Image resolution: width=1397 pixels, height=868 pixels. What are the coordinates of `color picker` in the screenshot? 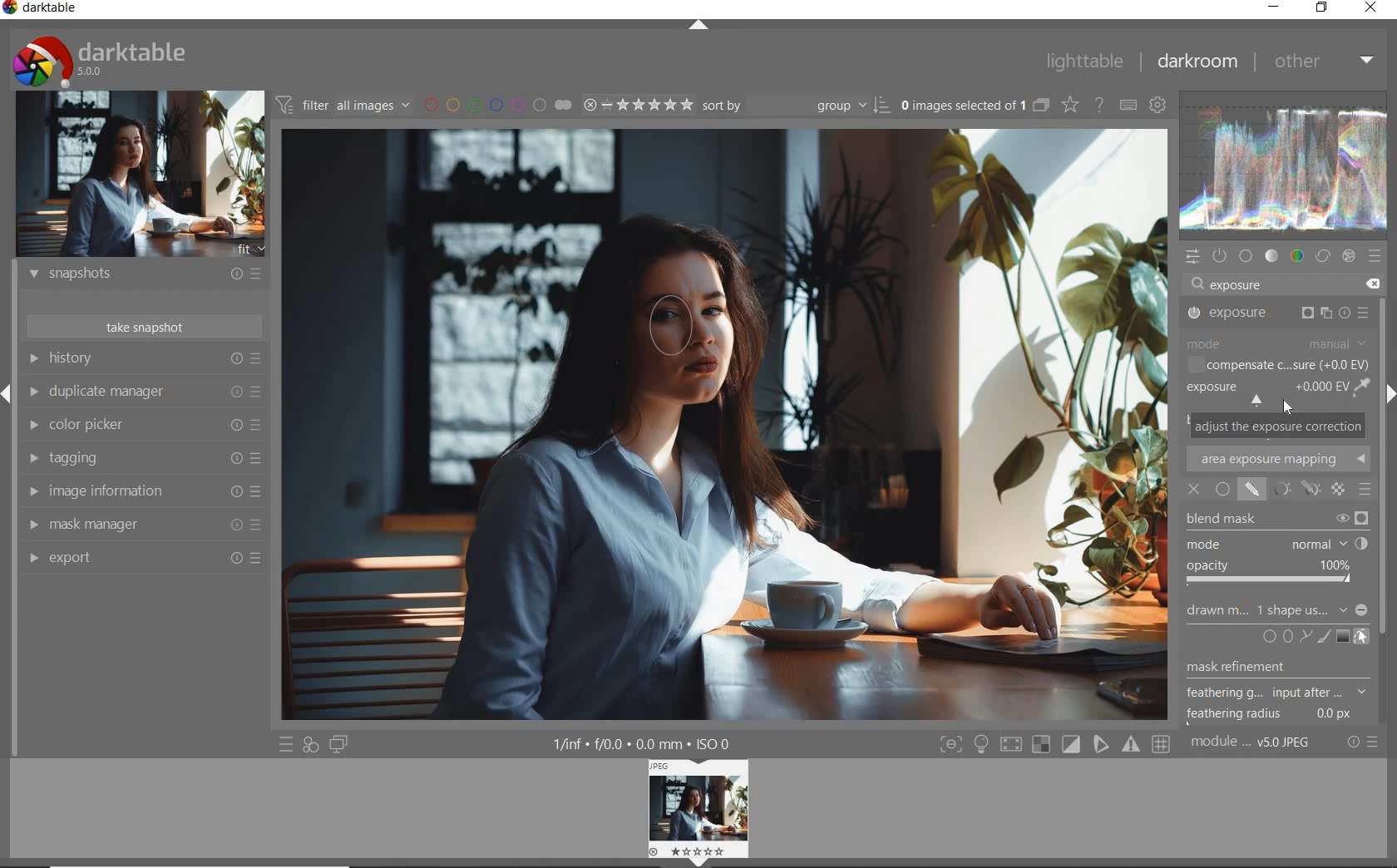 It's located at (146, 425).